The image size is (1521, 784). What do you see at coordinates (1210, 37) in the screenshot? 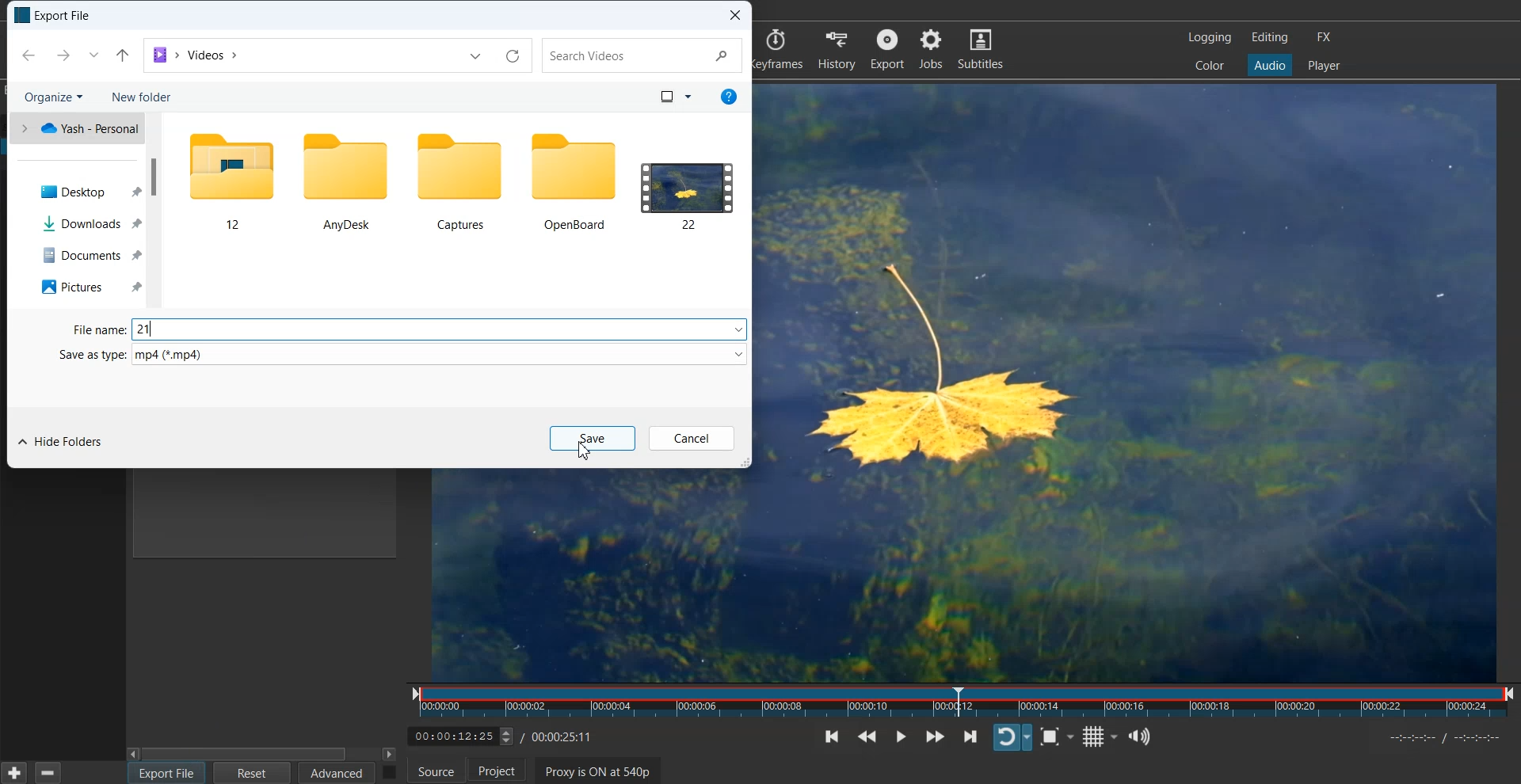
I see `Logging` at bounding box center [1210, 37].